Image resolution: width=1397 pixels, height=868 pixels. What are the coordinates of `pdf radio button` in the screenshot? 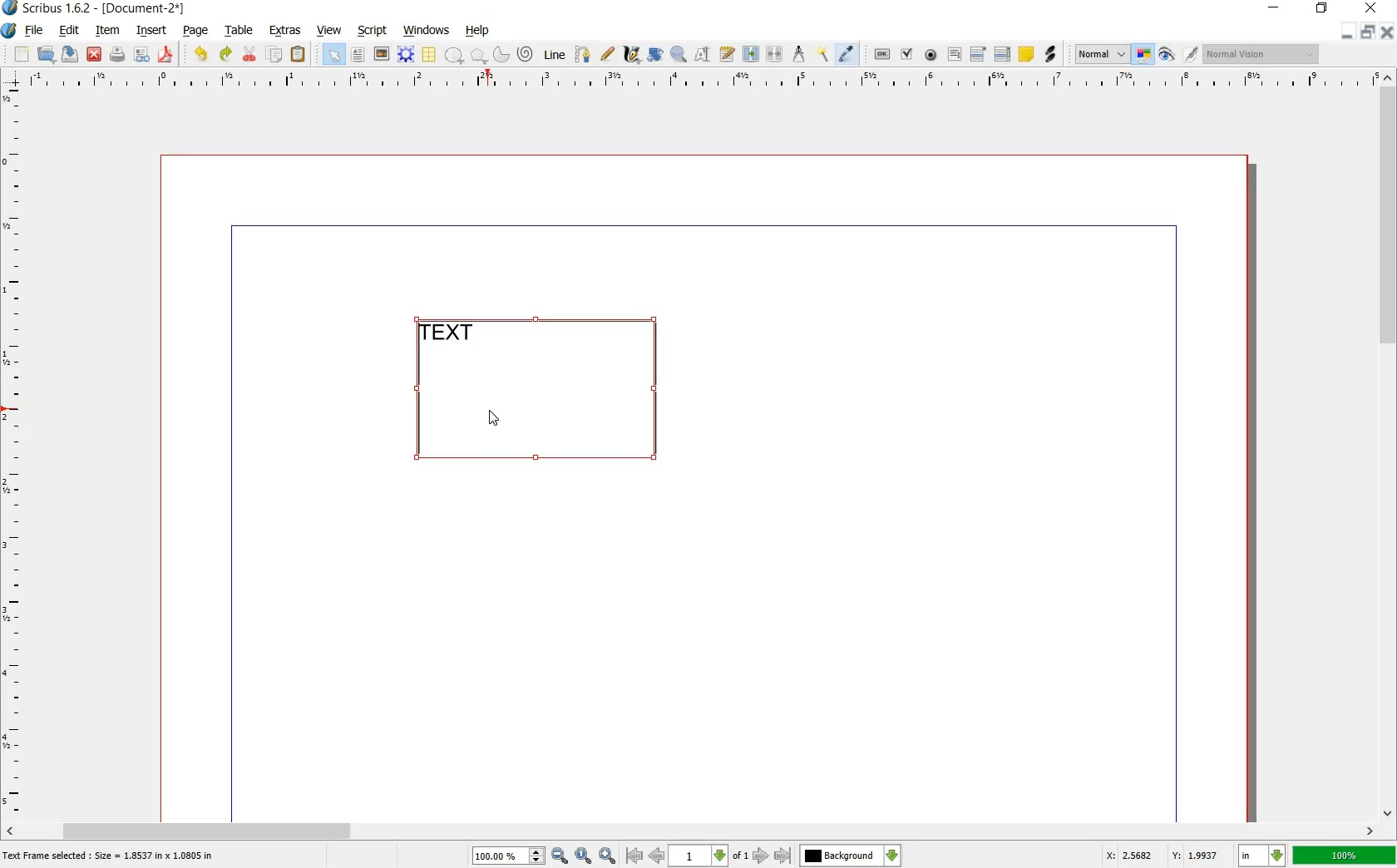 It's located at (931, 55).